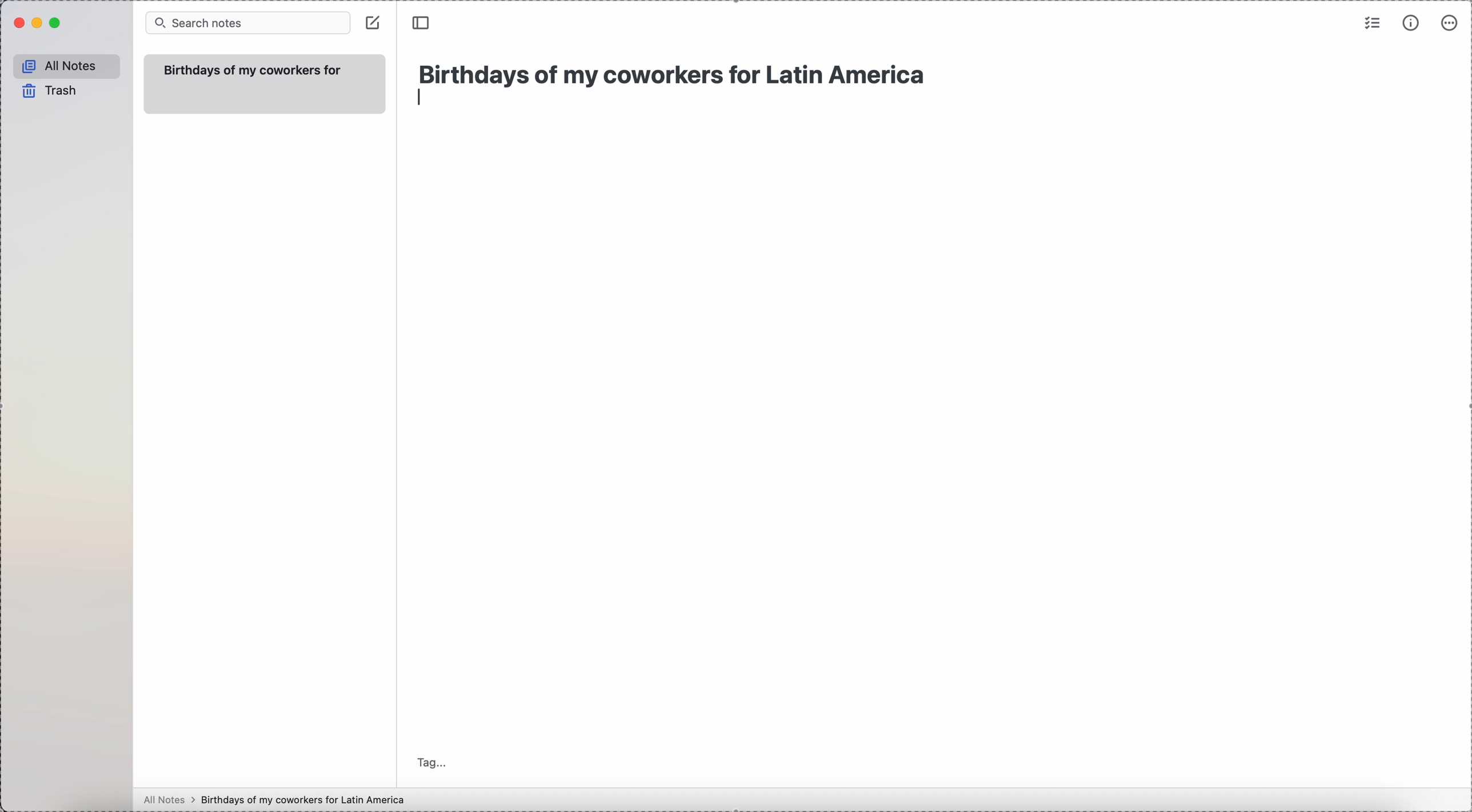 This screenshot has height=812, width=1472. What do you see at coordinates (51, 91) in the screenshot?
I see `trash` at bounding box center [51, 91].